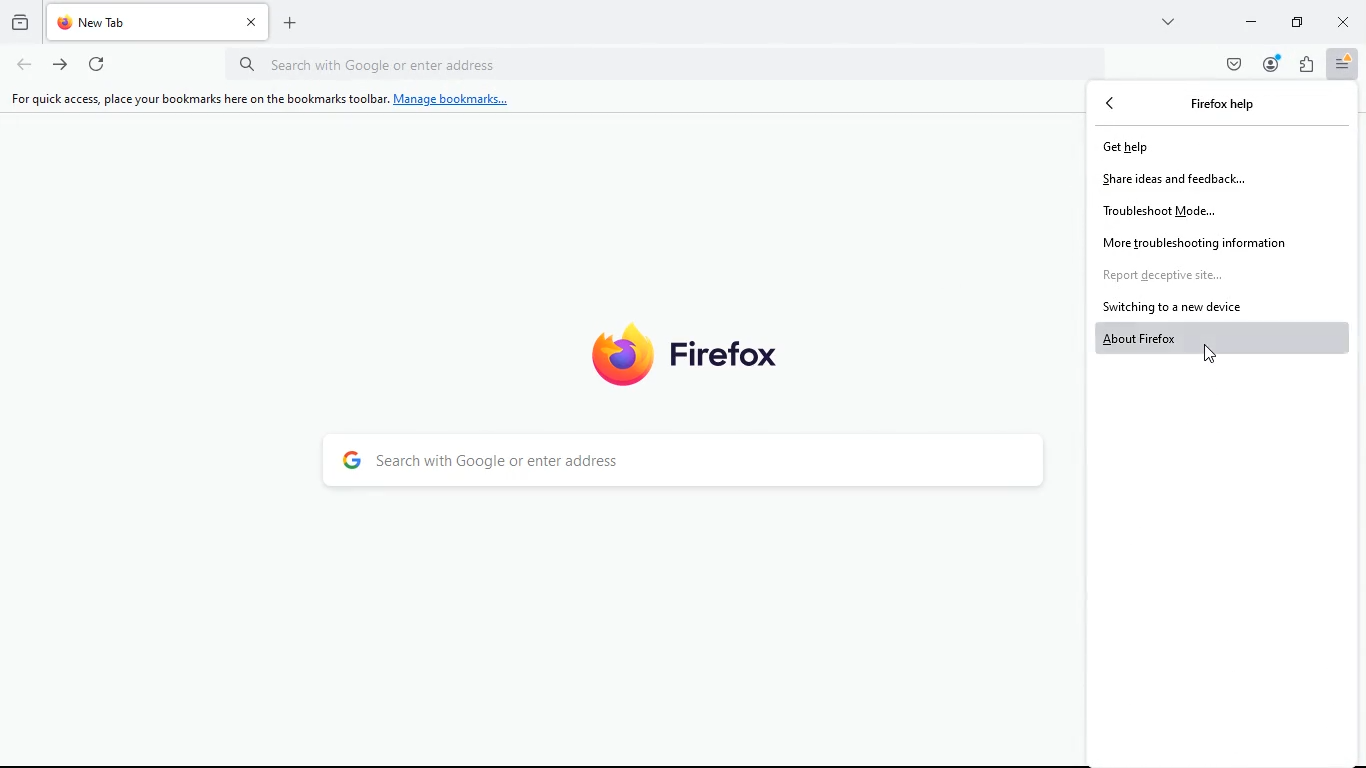  Describe the element at coordinates (1167, 25) in the screenshot. I see `more` at that location.